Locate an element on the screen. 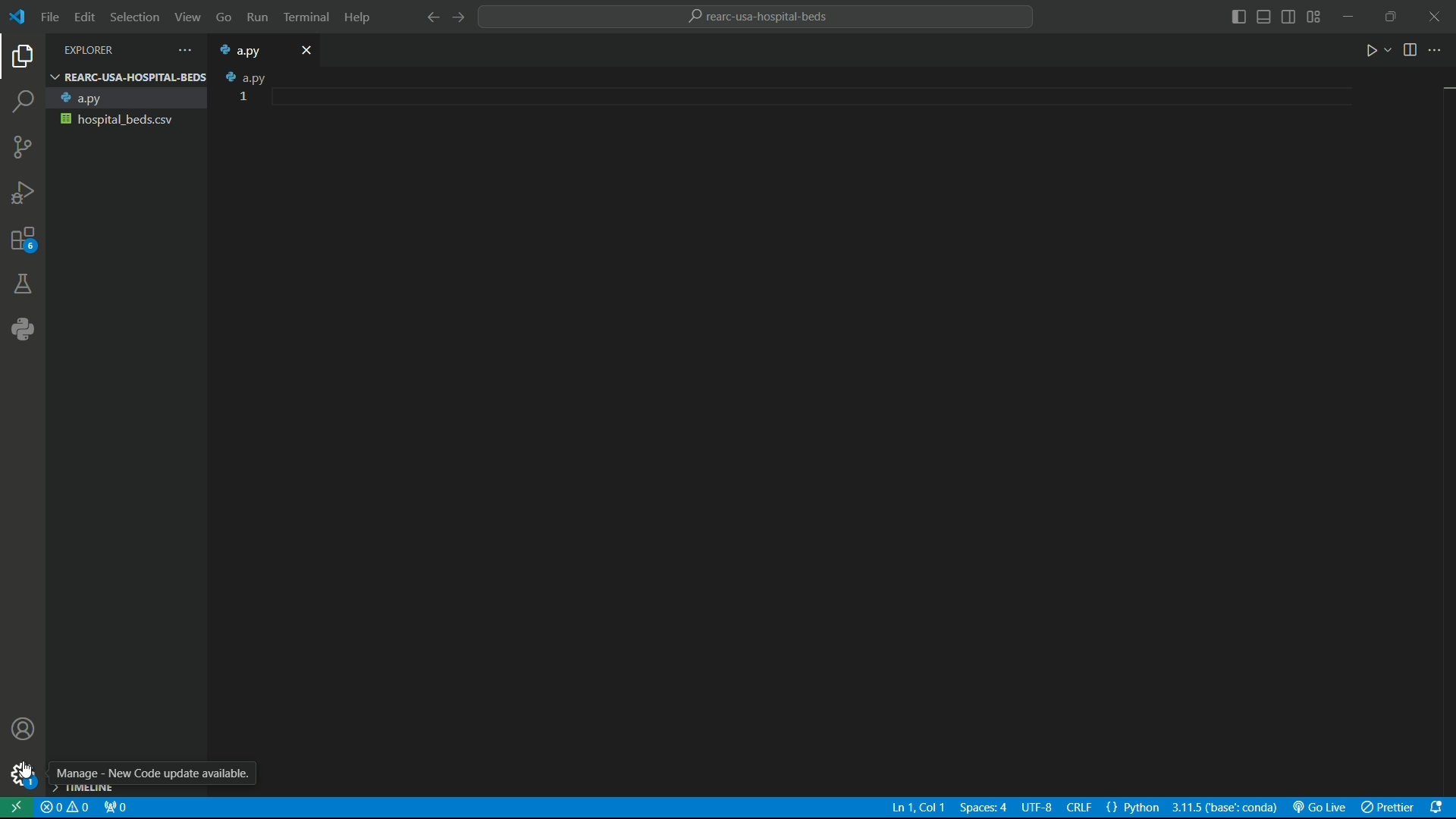 This screenshot has width=1456, height=819. testing is located at coordinates (23, 286).